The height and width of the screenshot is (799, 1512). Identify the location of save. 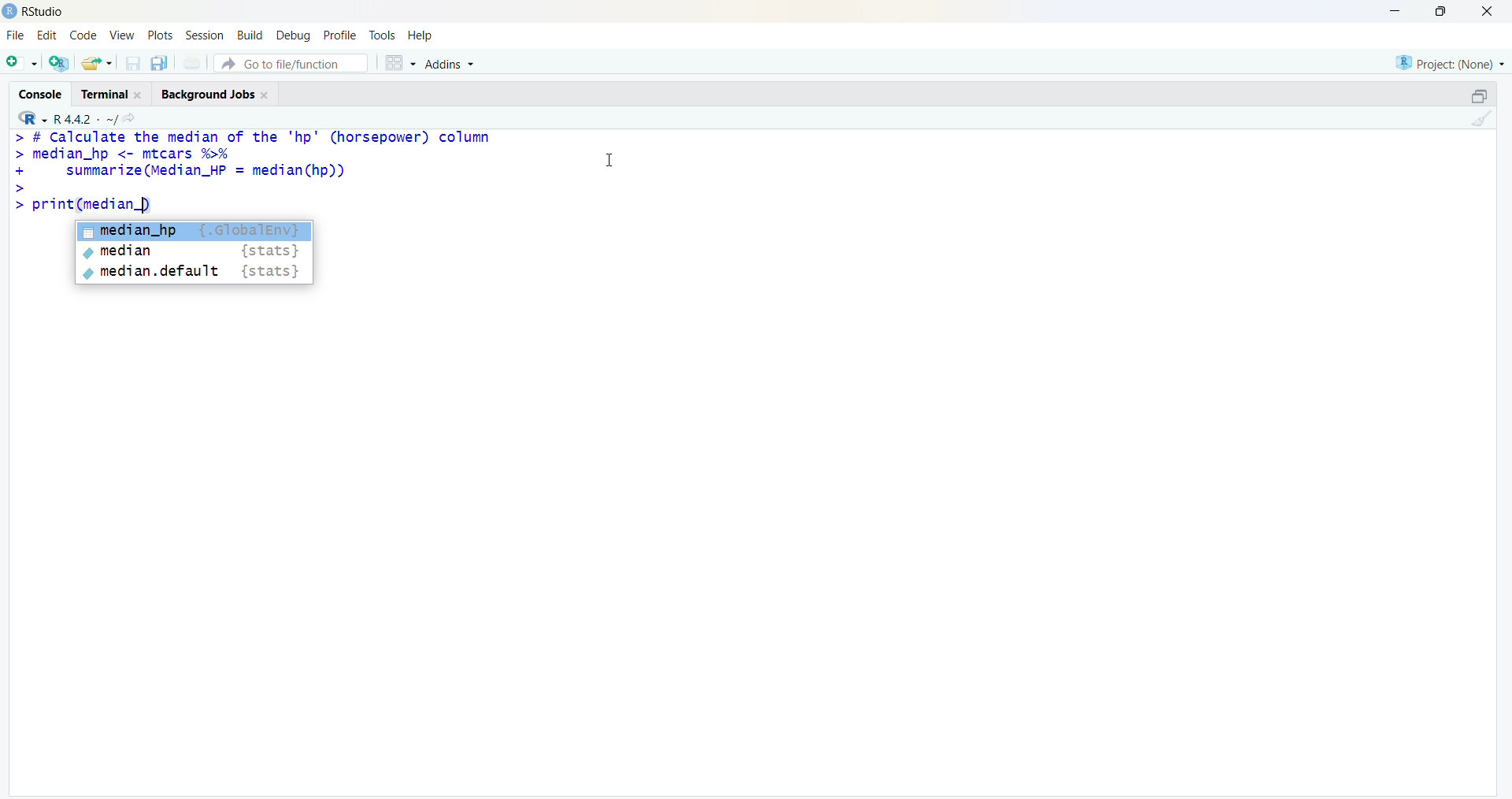
(135, 63).